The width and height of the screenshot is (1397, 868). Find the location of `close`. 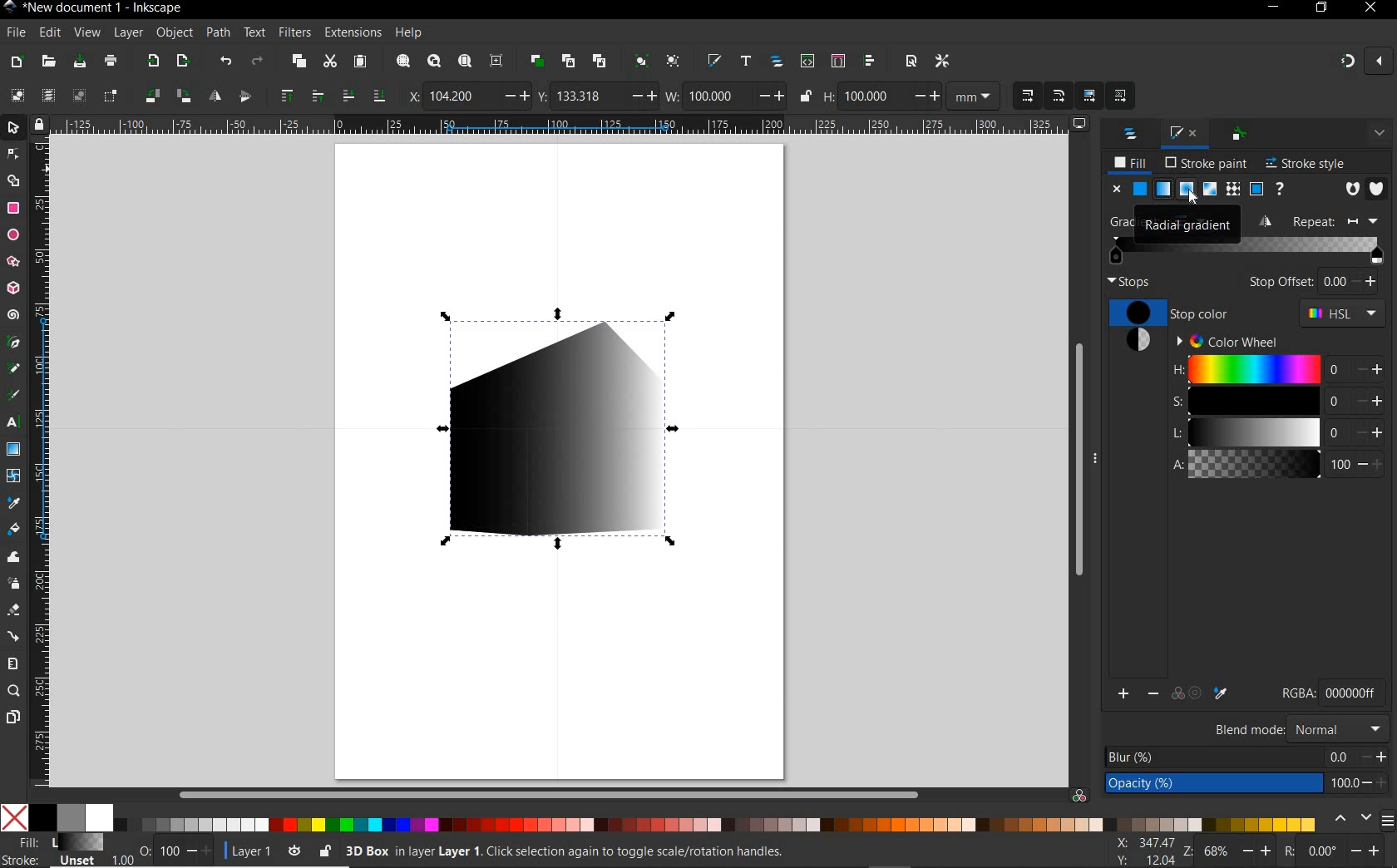

close is located at coordinates (1196, 132).